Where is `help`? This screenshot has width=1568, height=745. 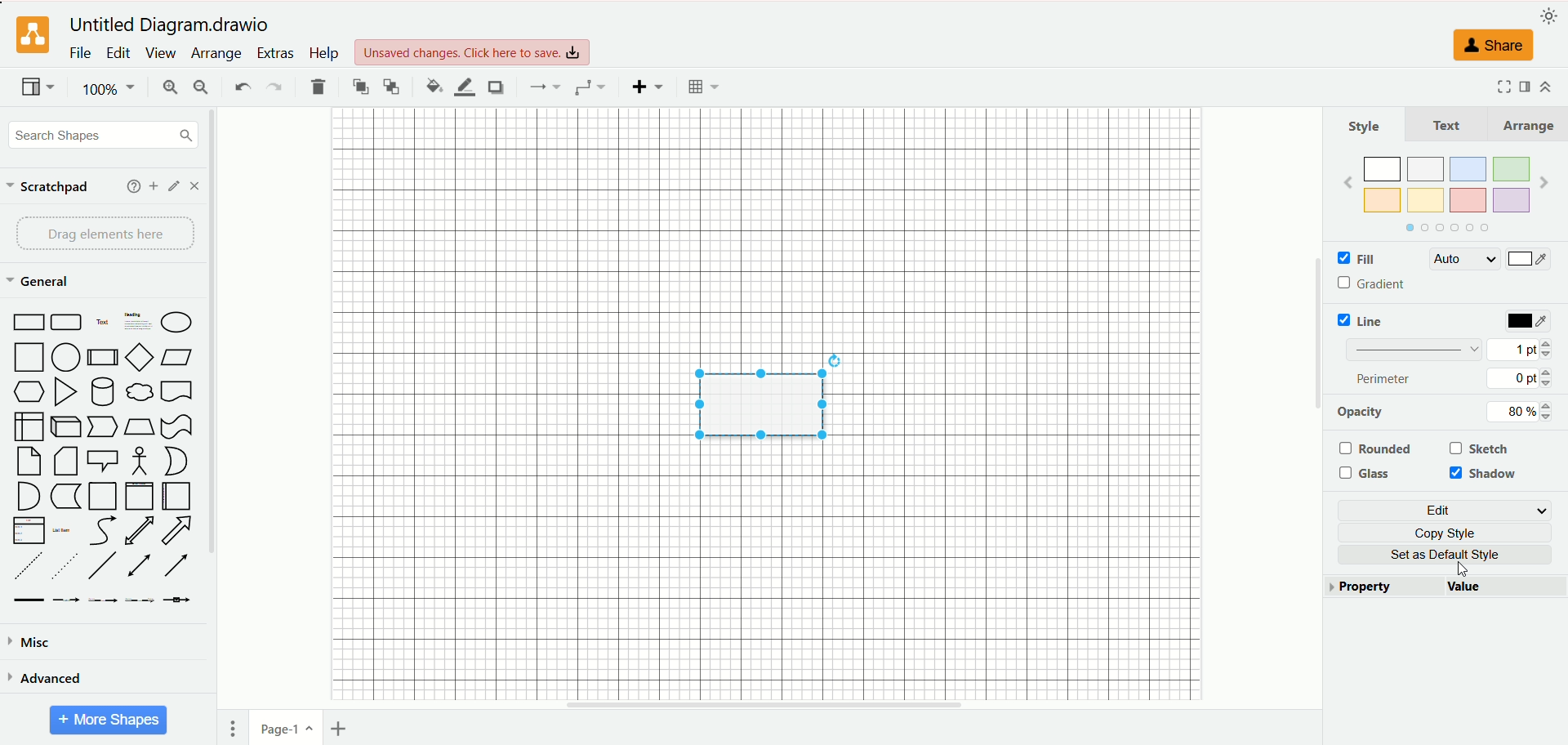 help is located at coordinates (323, 52).